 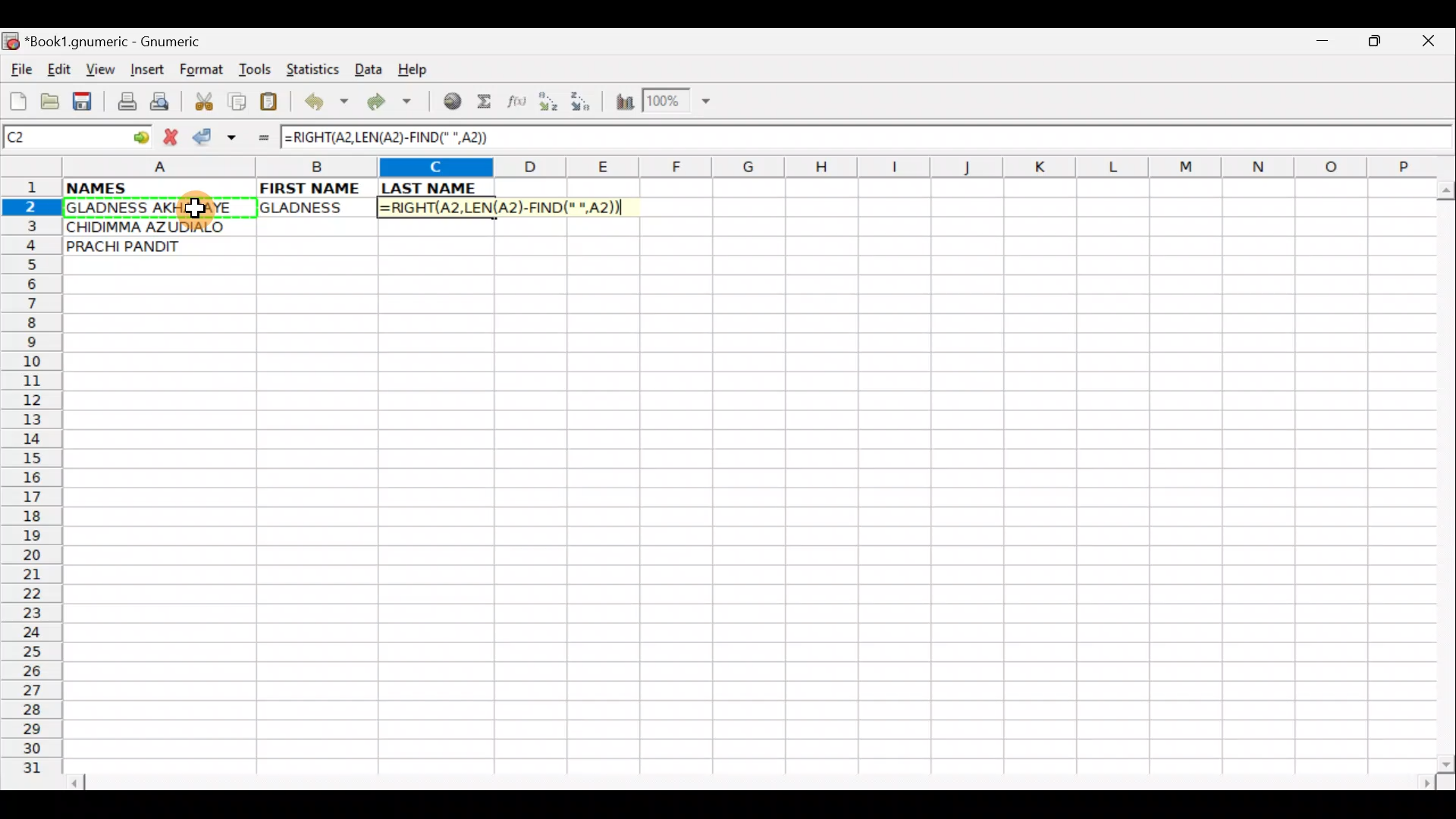 What do you see at coordinates (61, 138) in the screenshot?
I see `Cell name C2` at bounding box center [61, 138].